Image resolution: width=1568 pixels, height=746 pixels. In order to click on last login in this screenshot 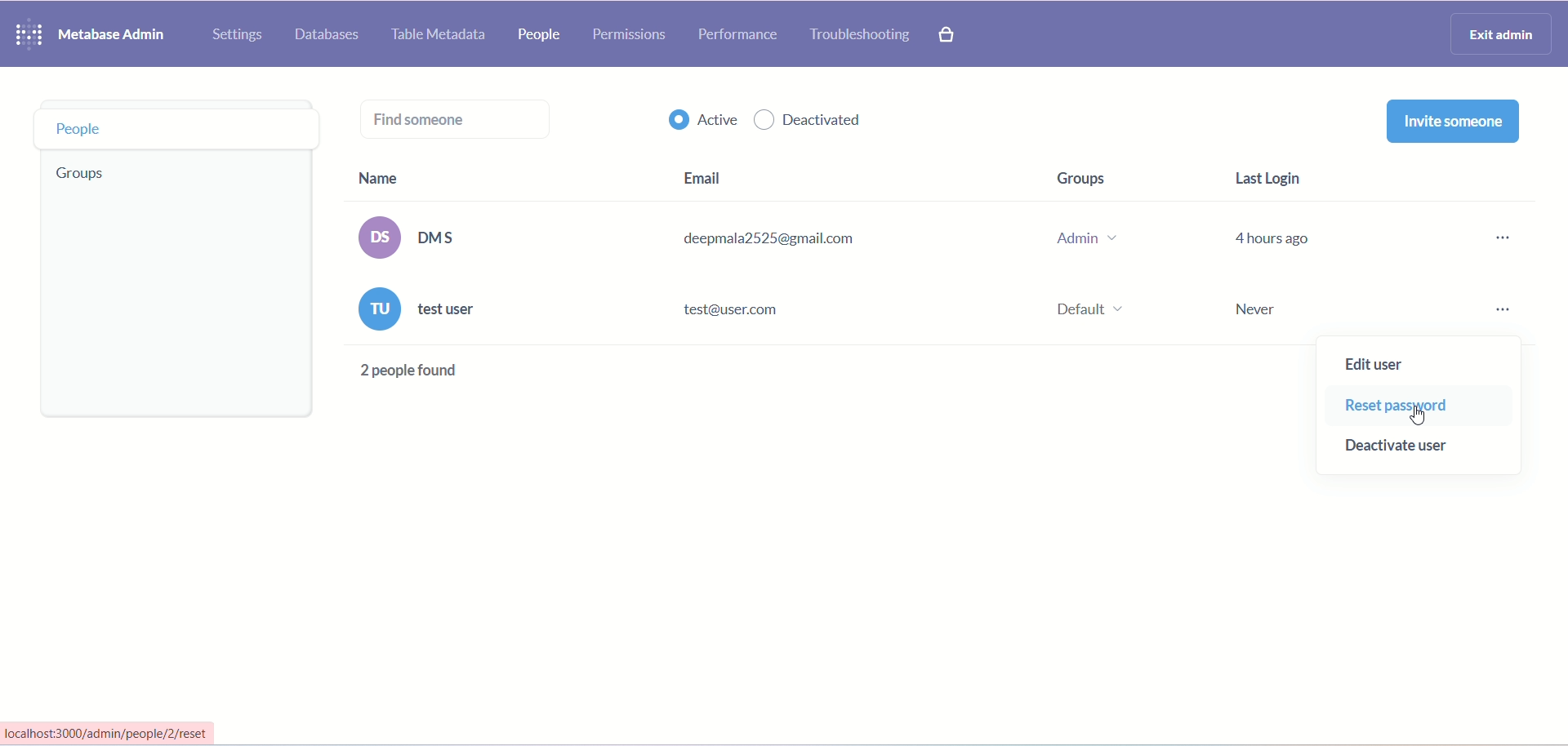, I will do `click(1275, 180)`.